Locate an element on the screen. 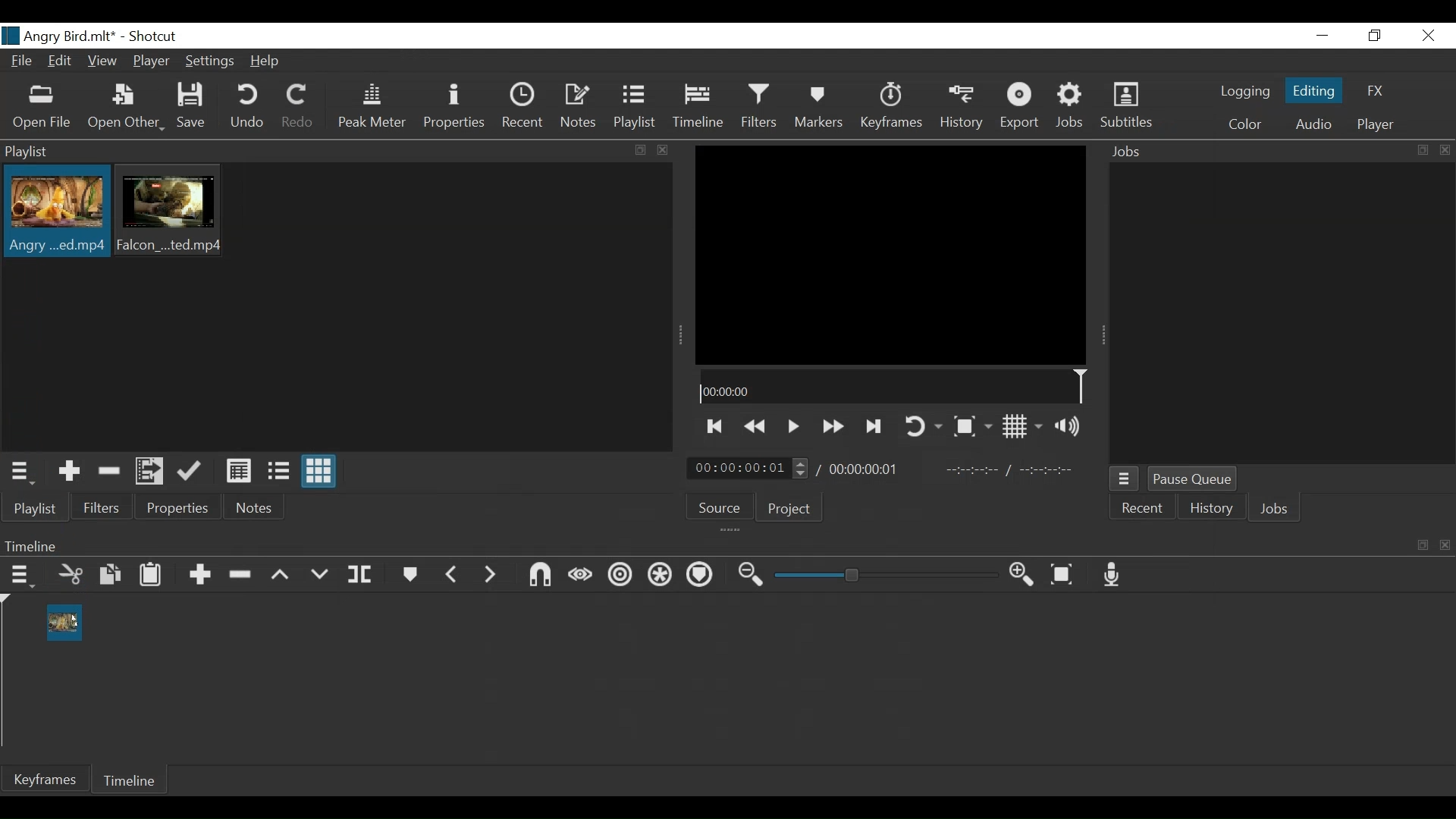 The image size is (1456, 819). Notes is located at coordinates (581, 106).